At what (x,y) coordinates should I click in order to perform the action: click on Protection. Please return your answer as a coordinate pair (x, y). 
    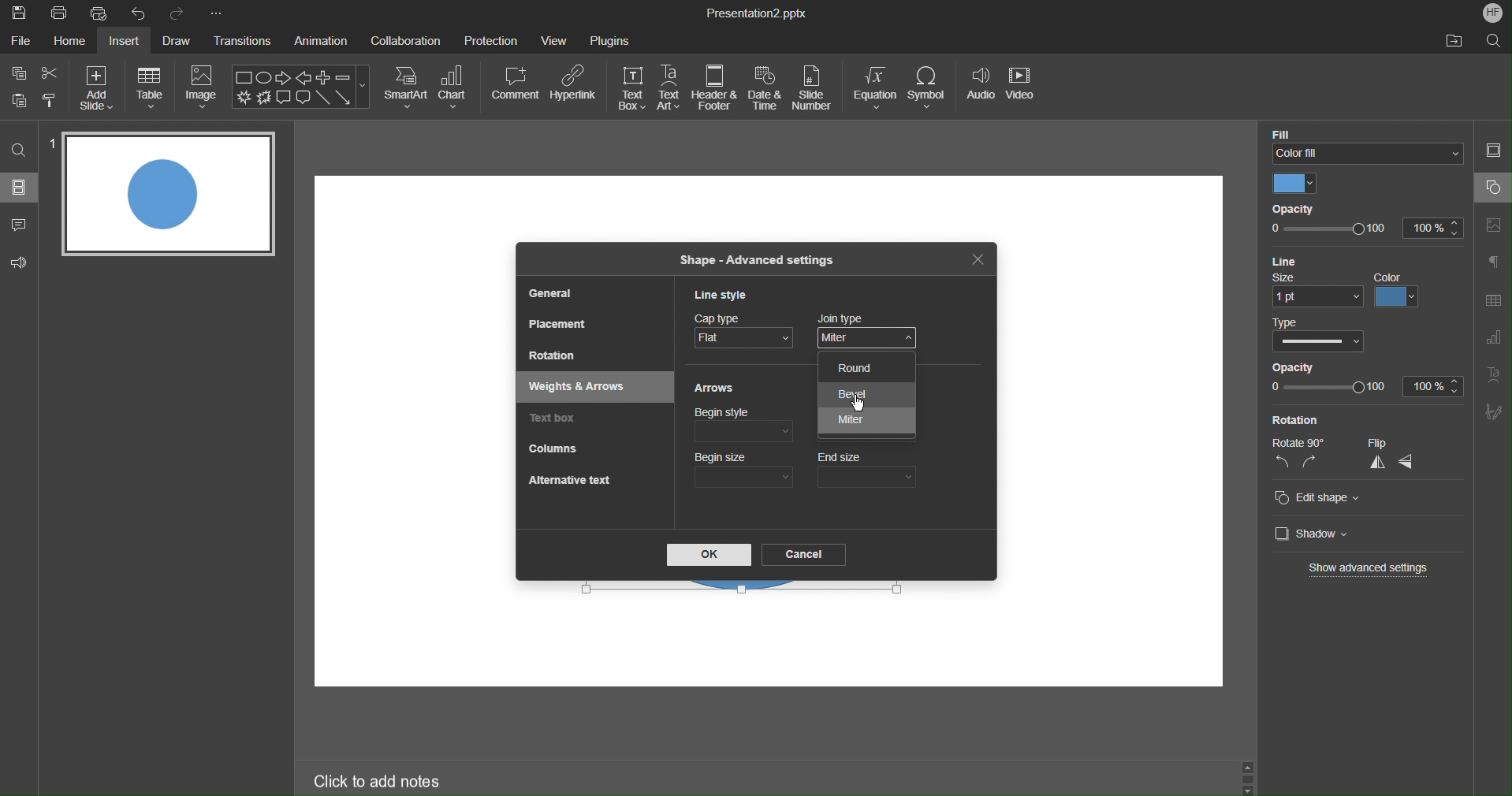
    Looking at the image, I should click on (491, 39).